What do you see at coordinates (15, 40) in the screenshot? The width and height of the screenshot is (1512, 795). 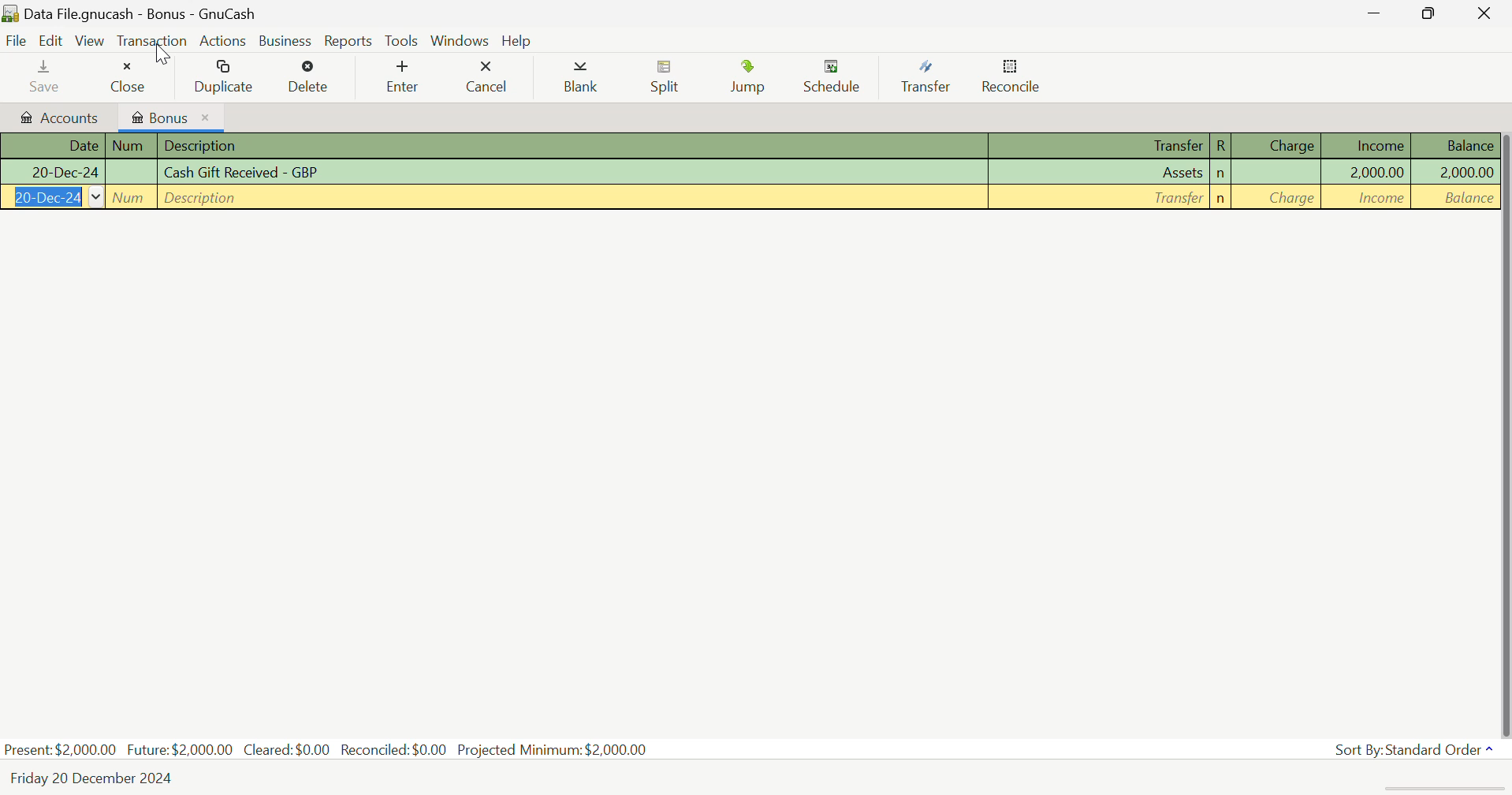 I see `File` at bounding box center [15, 40].